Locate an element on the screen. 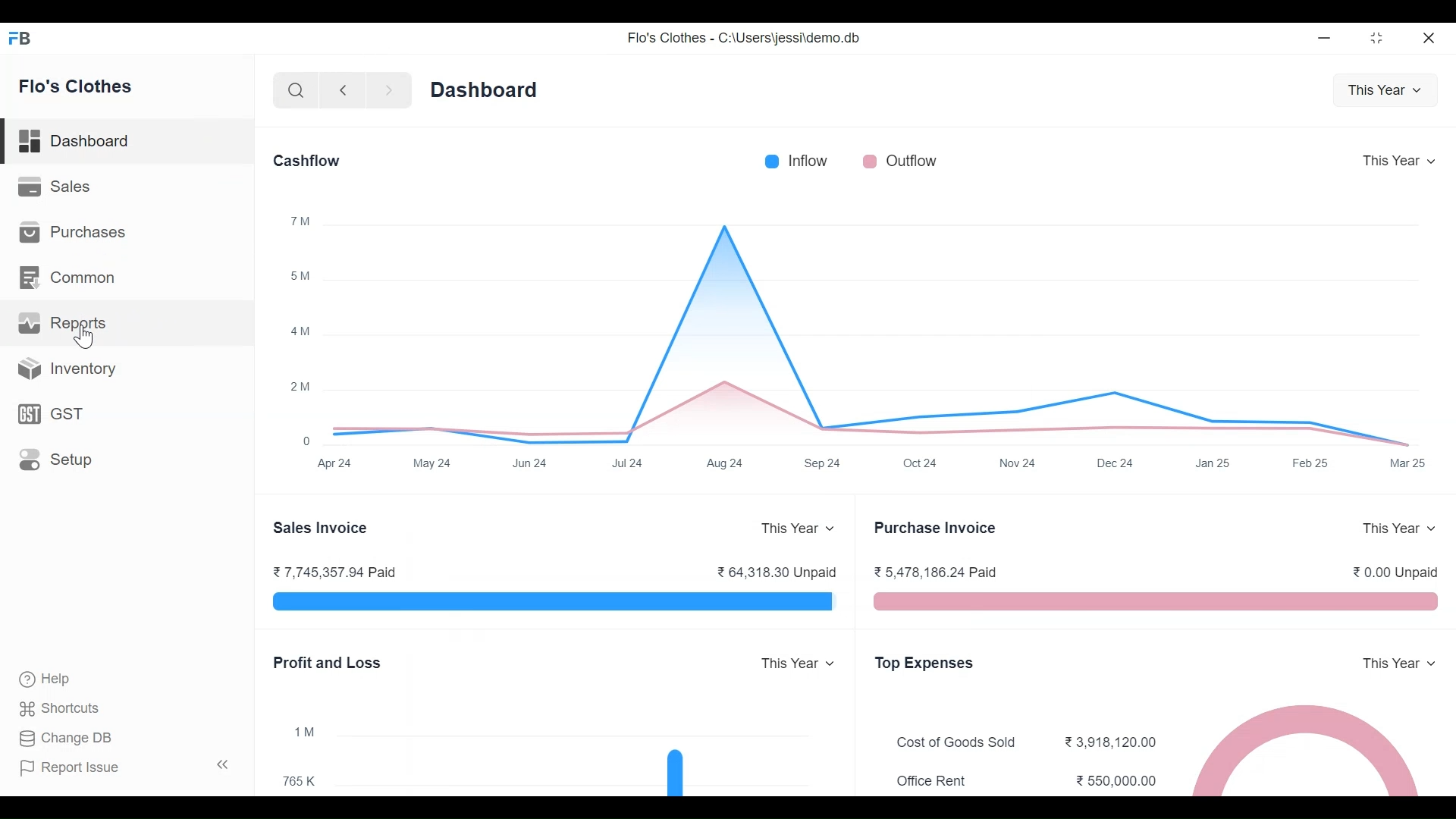  outflow is located at coordinates (900, 161).